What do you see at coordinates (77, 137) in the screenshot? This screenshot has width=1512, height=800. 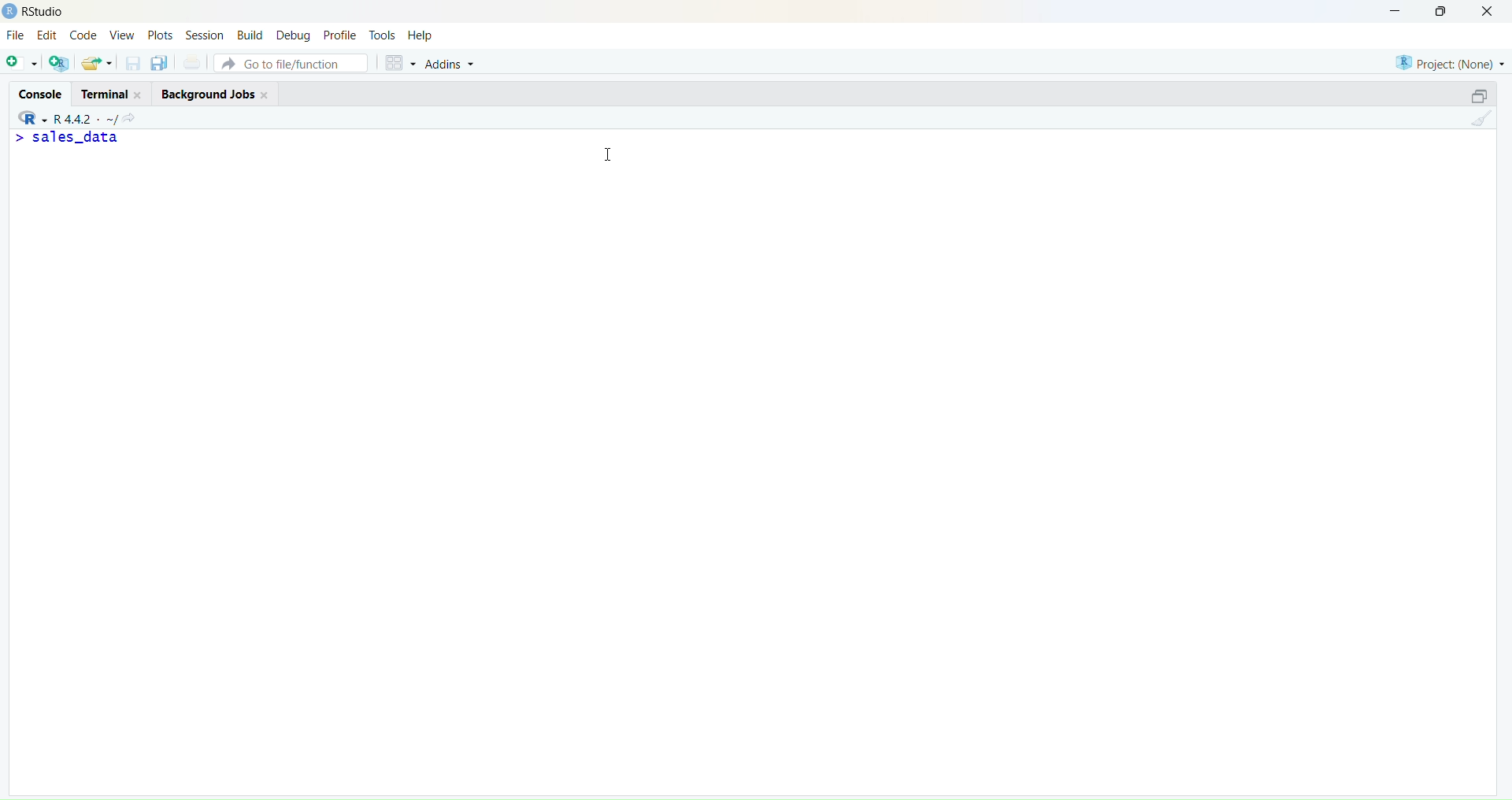 I see `> sales` at bounding box center [77, 137].